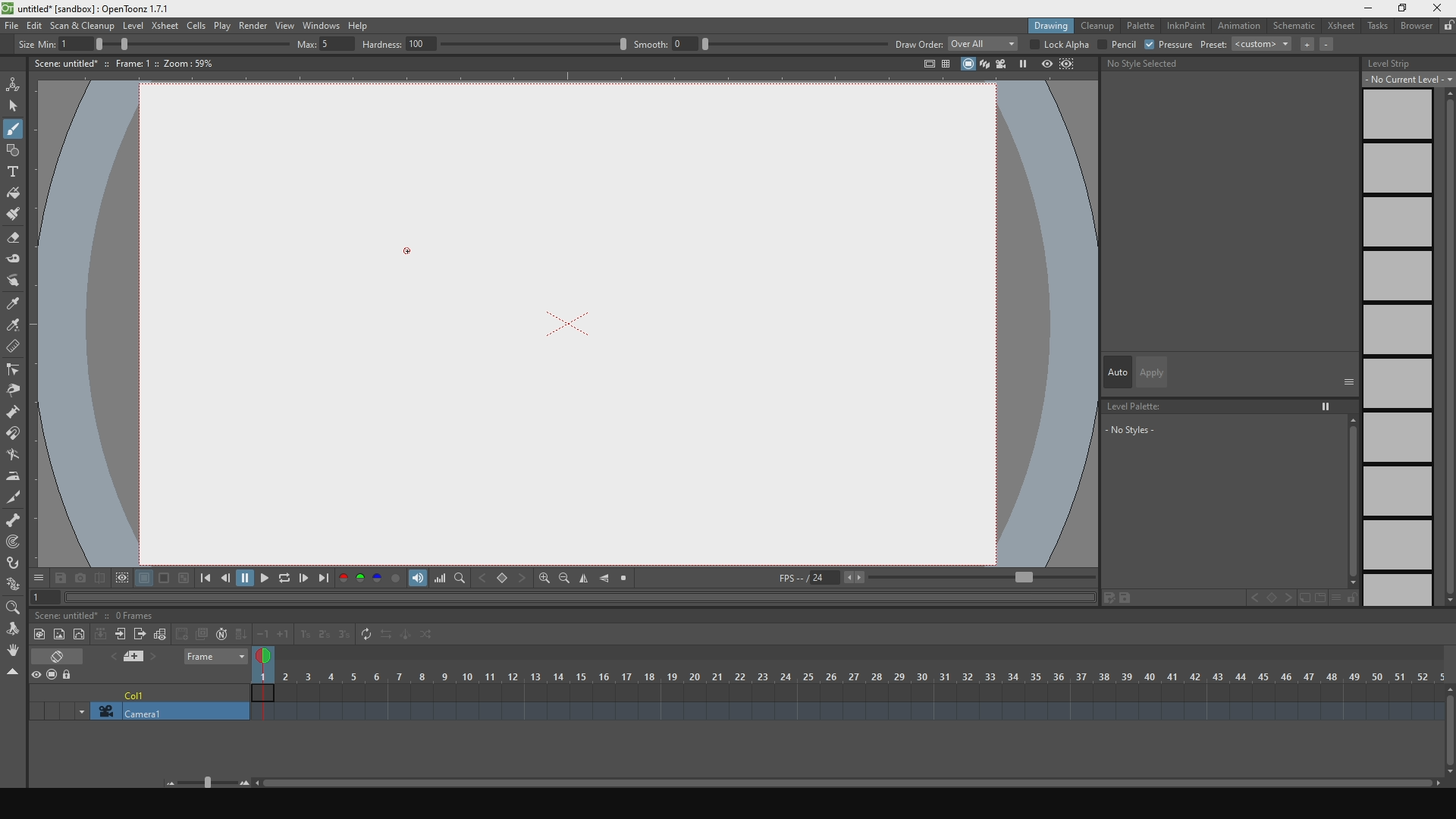 Image resolution: width=1456 pixels, height=819 pixels. I want to click on , so click(1329, 45).